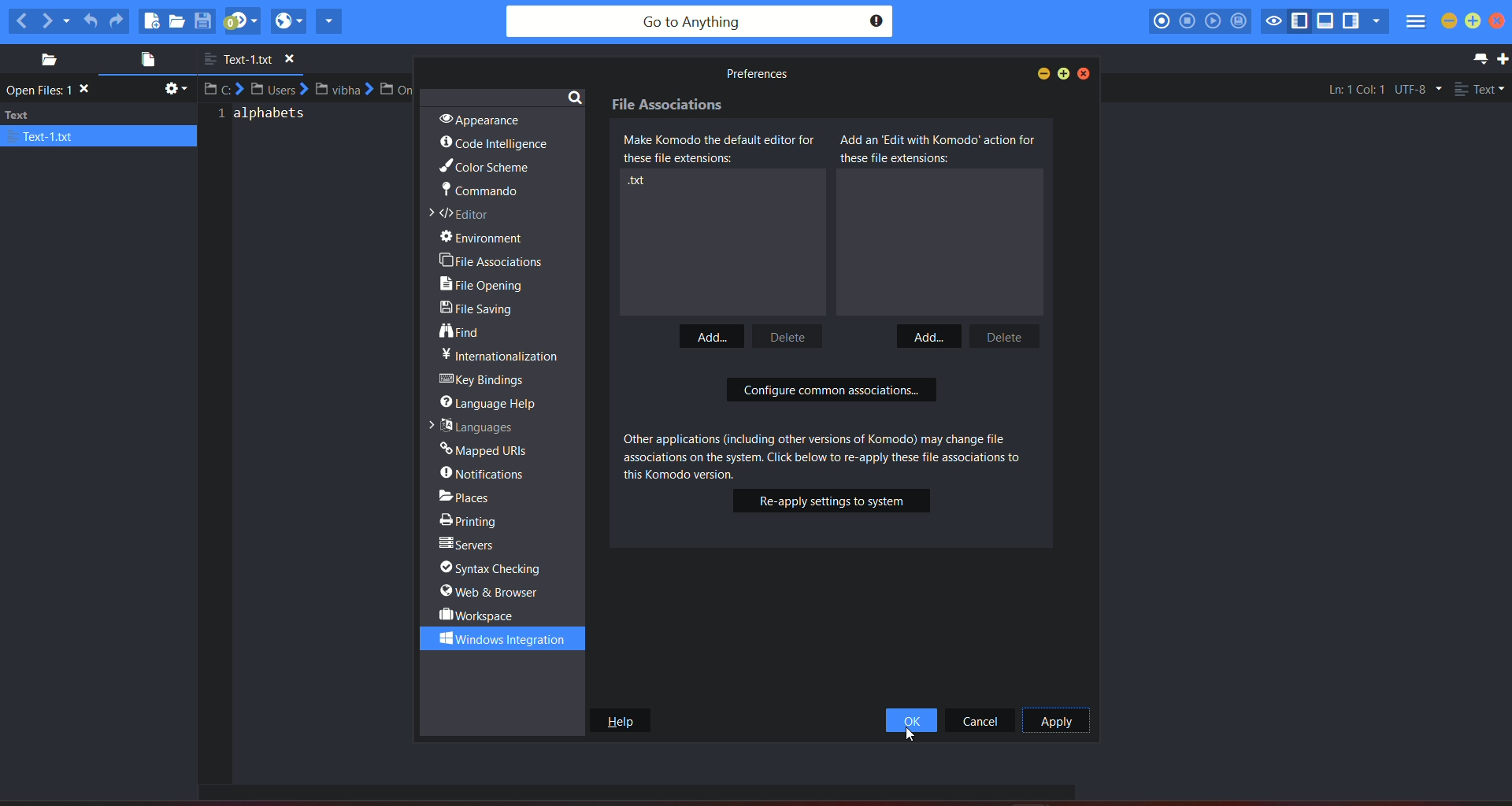 Image resolution: width=1512 pixels, height=806 pixels. I want to click on stop recording, so click(1186, 20).